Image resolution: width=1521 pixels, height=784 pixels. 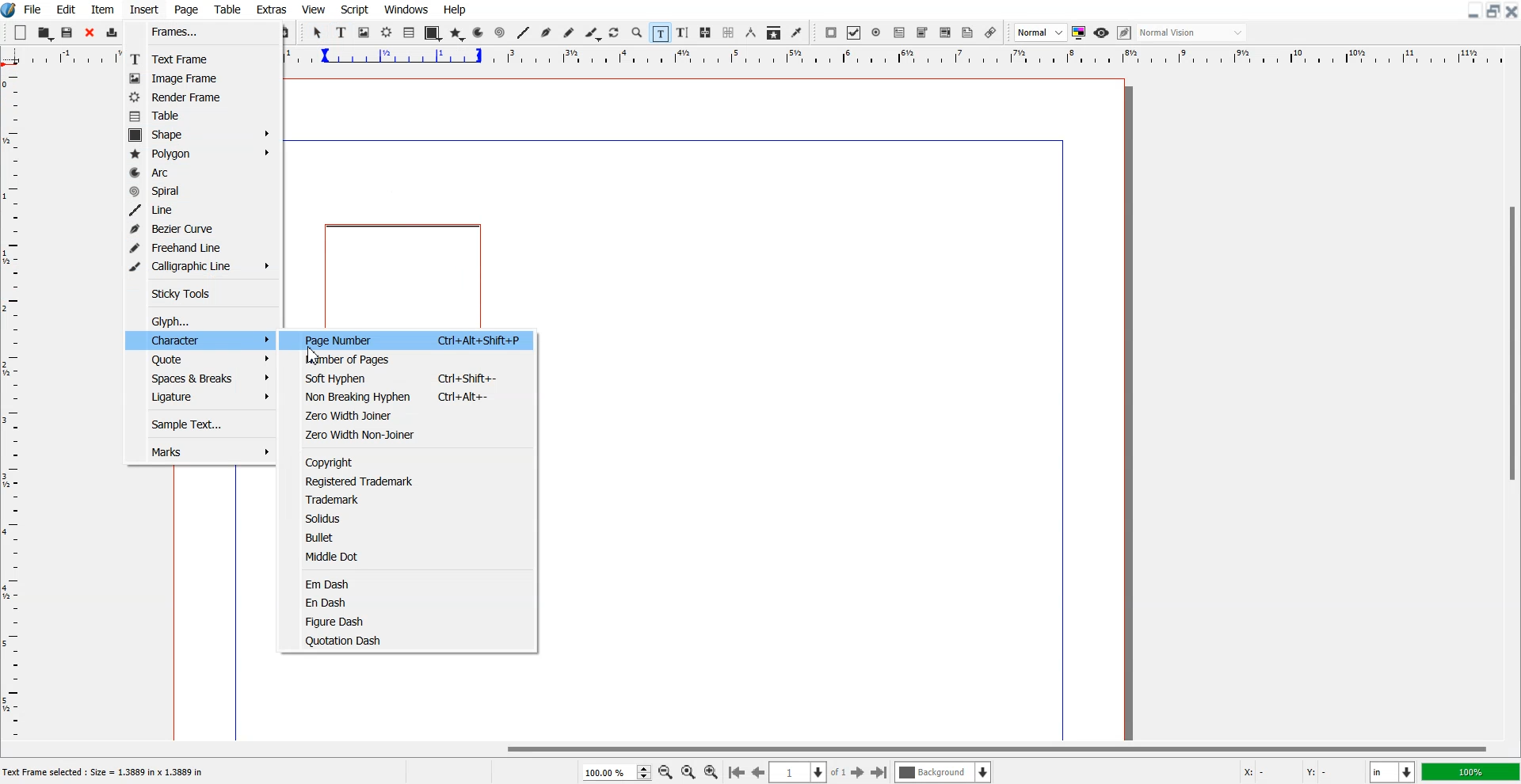 I want to click on Item, so click(x=102, y=10).